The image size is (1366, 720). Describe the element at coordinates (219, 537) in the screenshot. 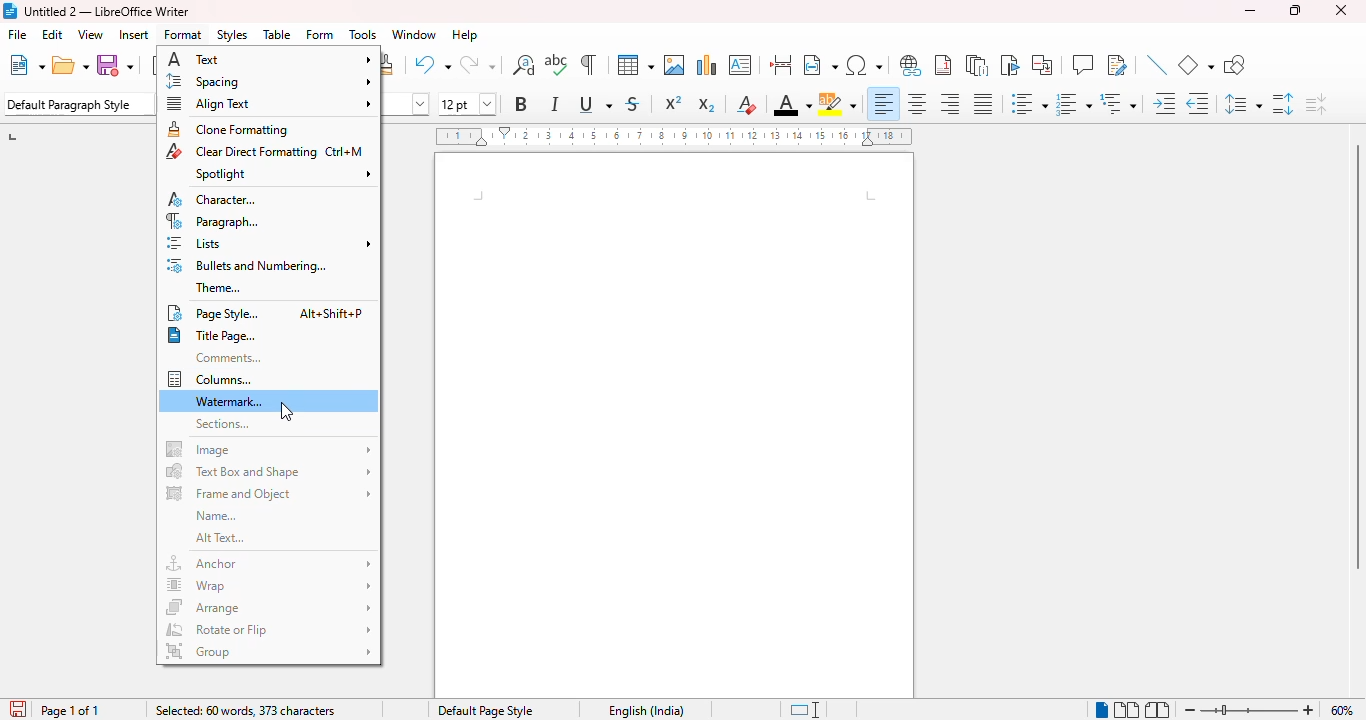

I see `alt text` at that location.